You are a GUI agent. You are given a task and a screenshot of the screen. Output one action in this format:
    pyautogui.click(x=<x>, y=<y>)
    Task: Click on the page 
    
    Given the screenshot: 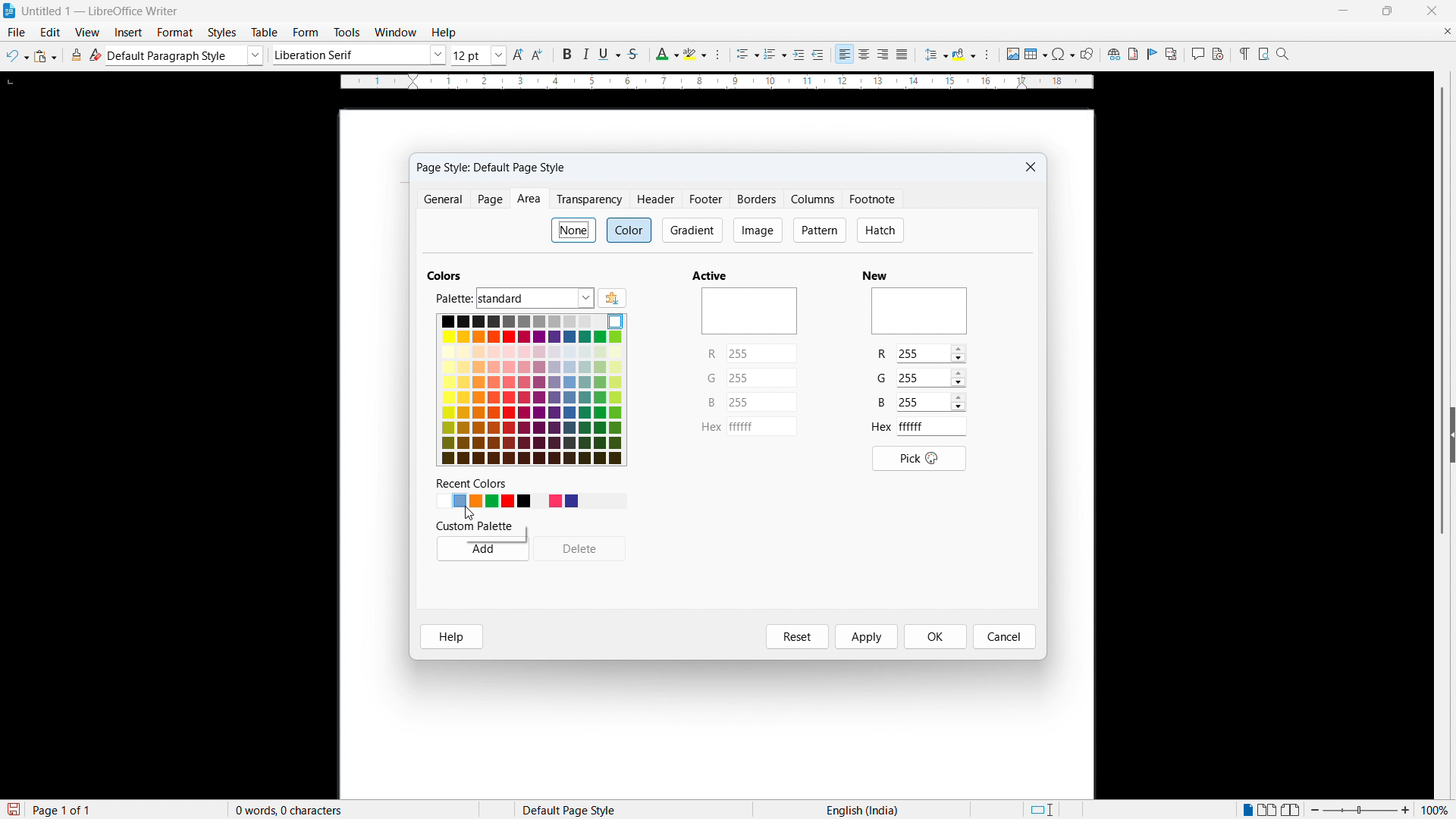 What is the action you would take?
    pyautogui.click(x=490, y=199)
    